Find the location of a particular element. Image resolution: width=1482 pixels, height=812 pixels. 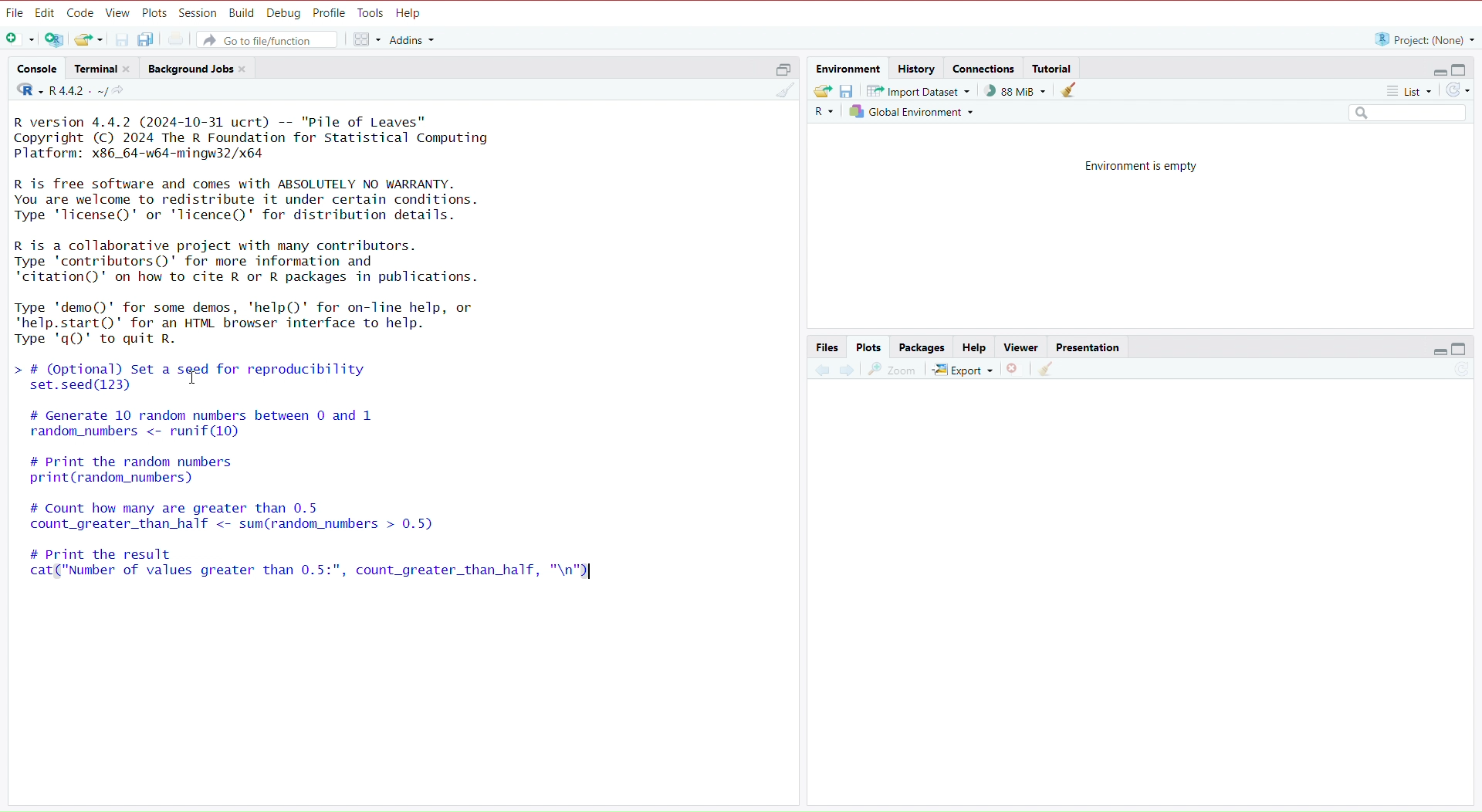

Hide is located at coordinates (1439, 70).